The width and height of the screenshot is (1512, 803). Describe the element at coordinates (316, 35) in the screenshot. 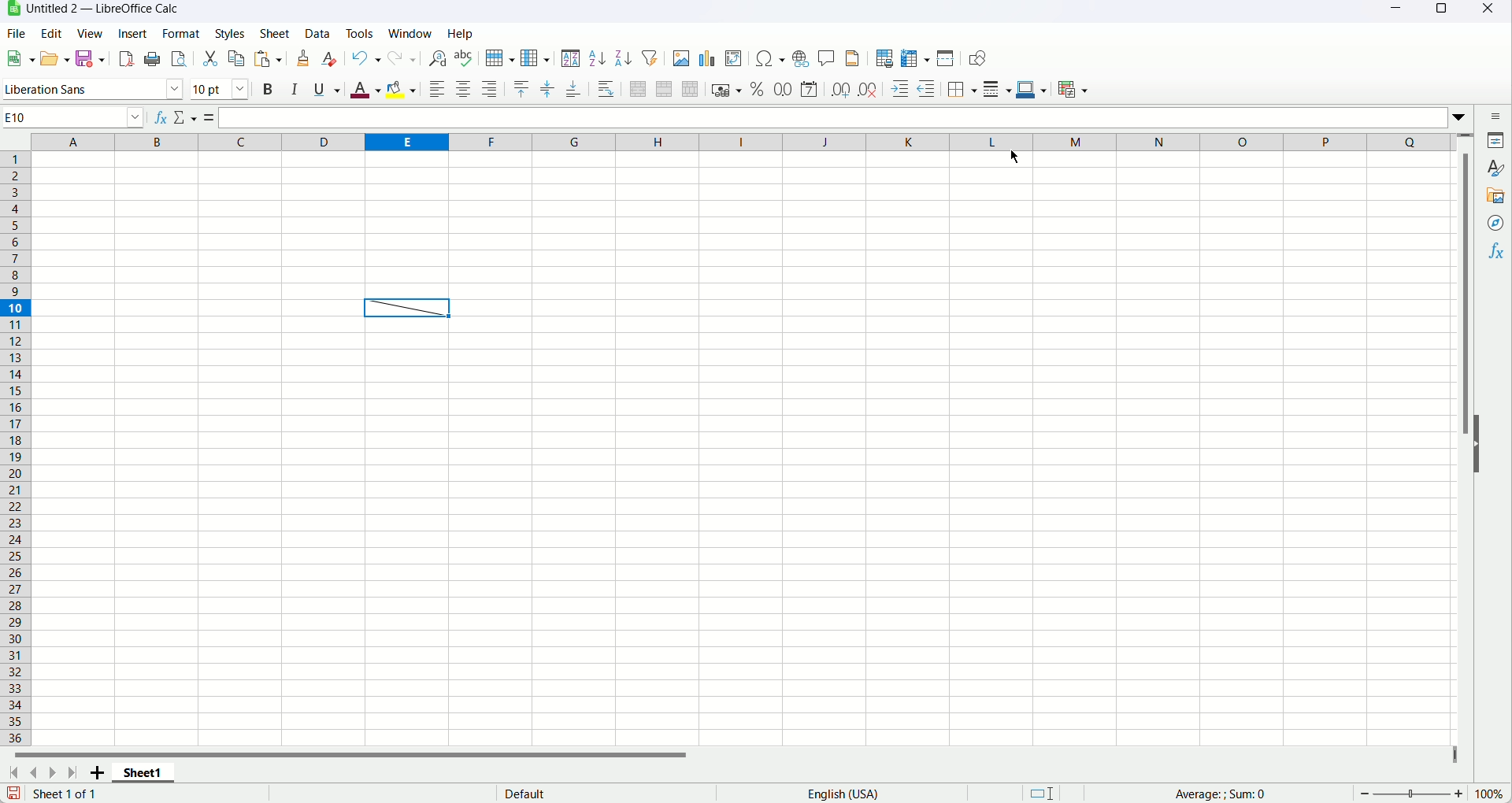

I see `Data` at that location.